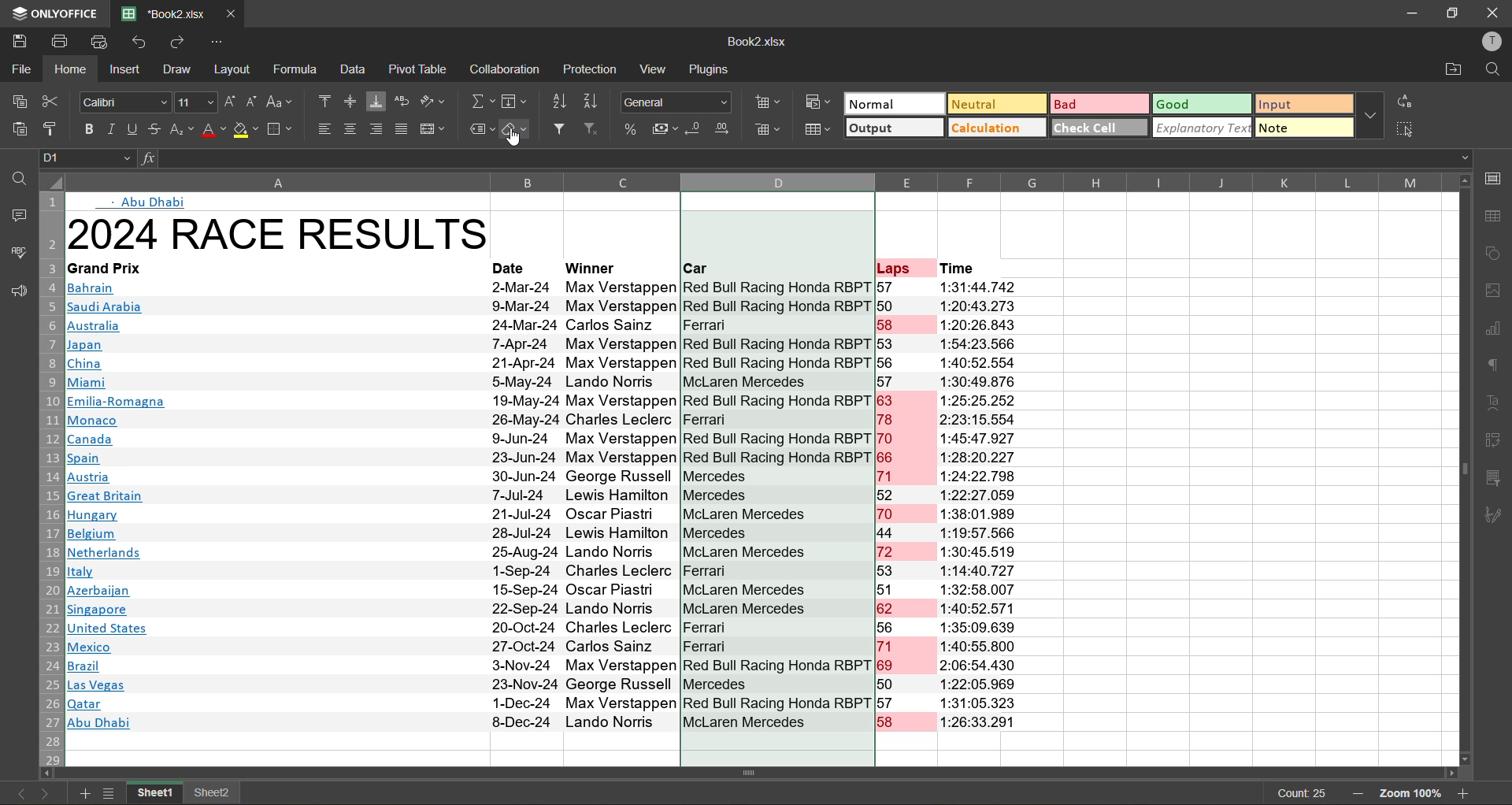 Image resolution: width=1512 pixels, height=805 pixels. I want to click on strikethrough, so click(156, 128).